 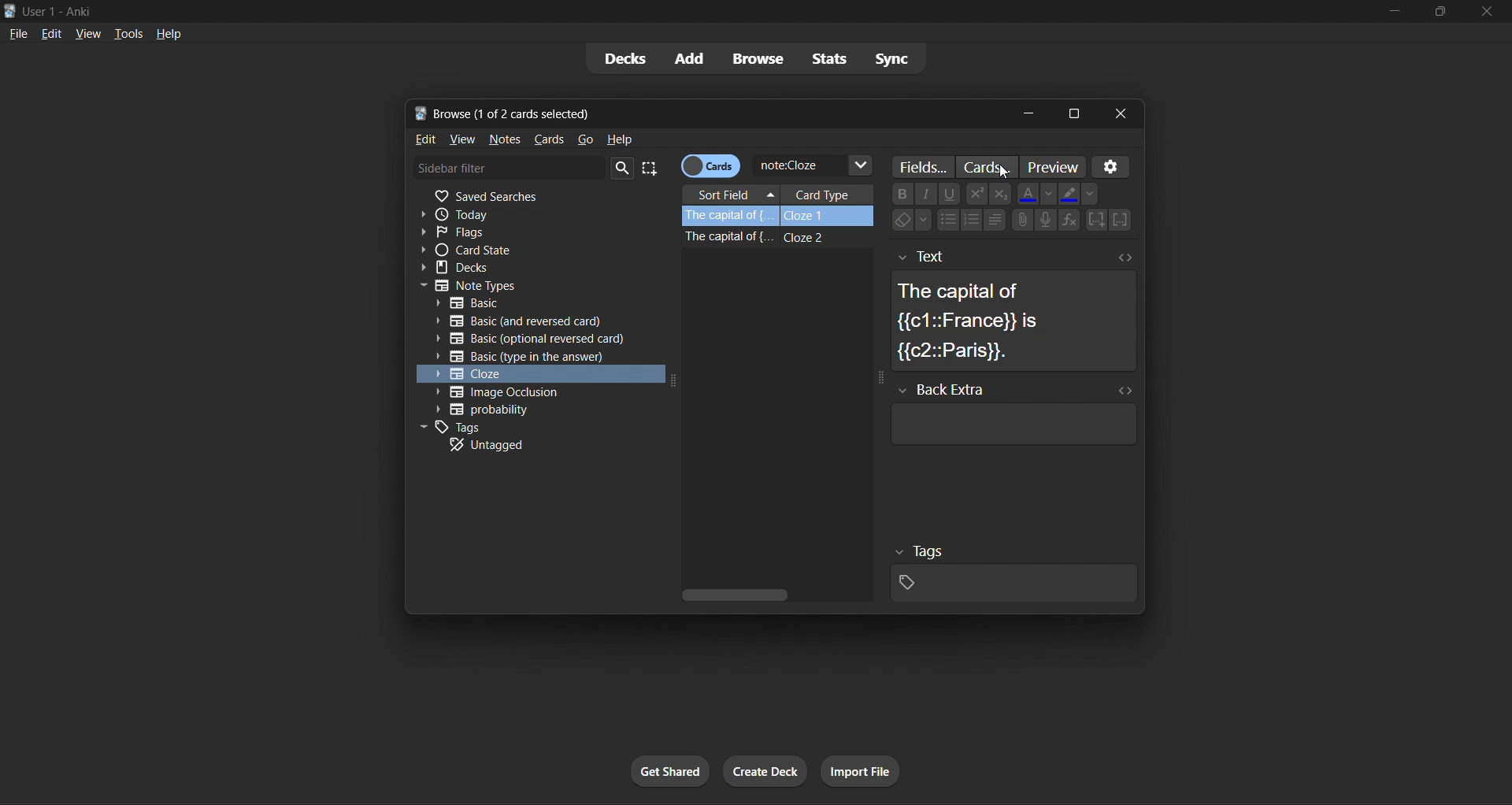 What do you see at coordinates (673, 770) in the screenshot?
I see `get shared` at bounding box center [673, 770].